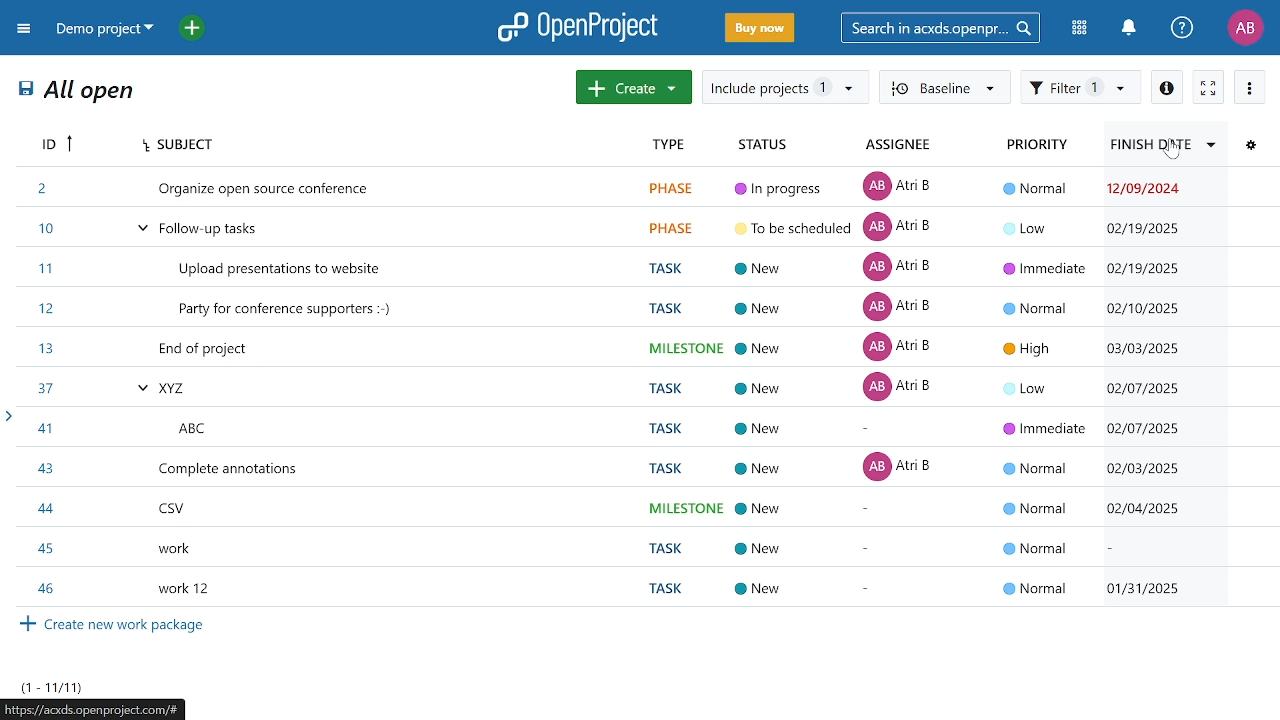 This screenshot has width=1280, height=720. I want to click on priority, so click(1042, 143).